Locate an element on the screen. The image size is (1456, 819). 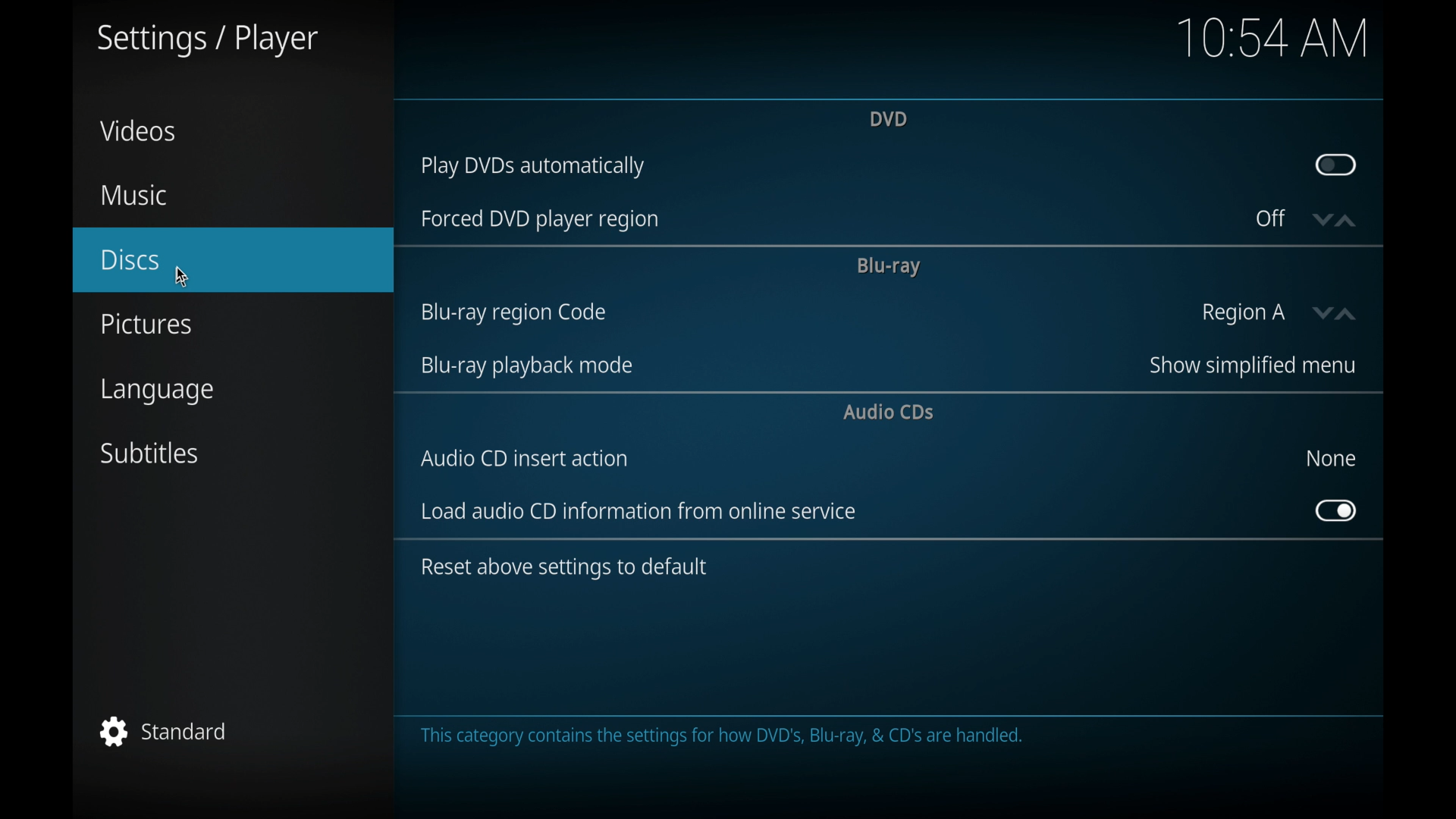
audio cds is located at coordinates (890, 412).